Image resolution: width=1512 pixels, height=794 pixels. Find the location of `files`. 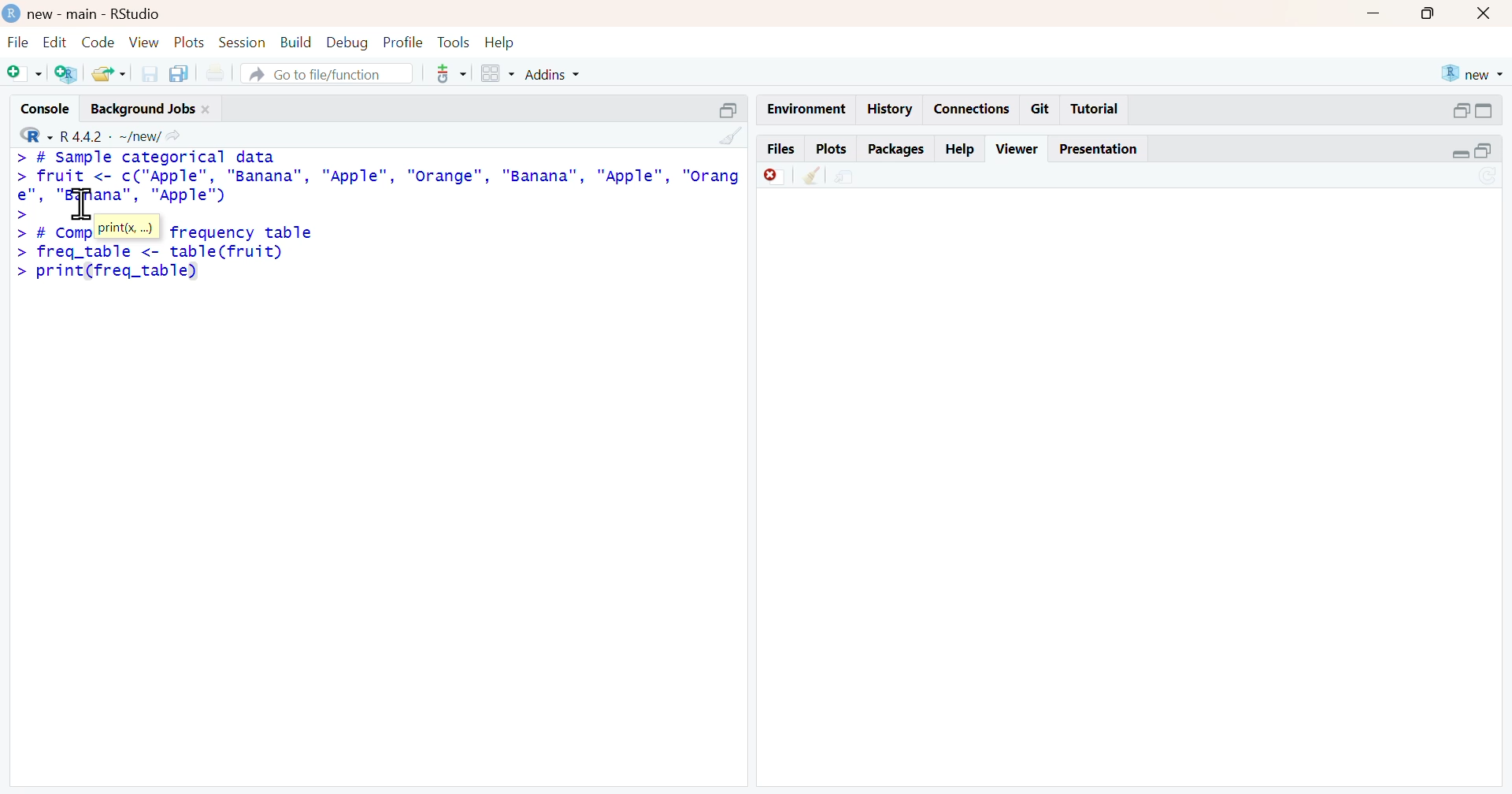

files is located at coordinates (782, 149).